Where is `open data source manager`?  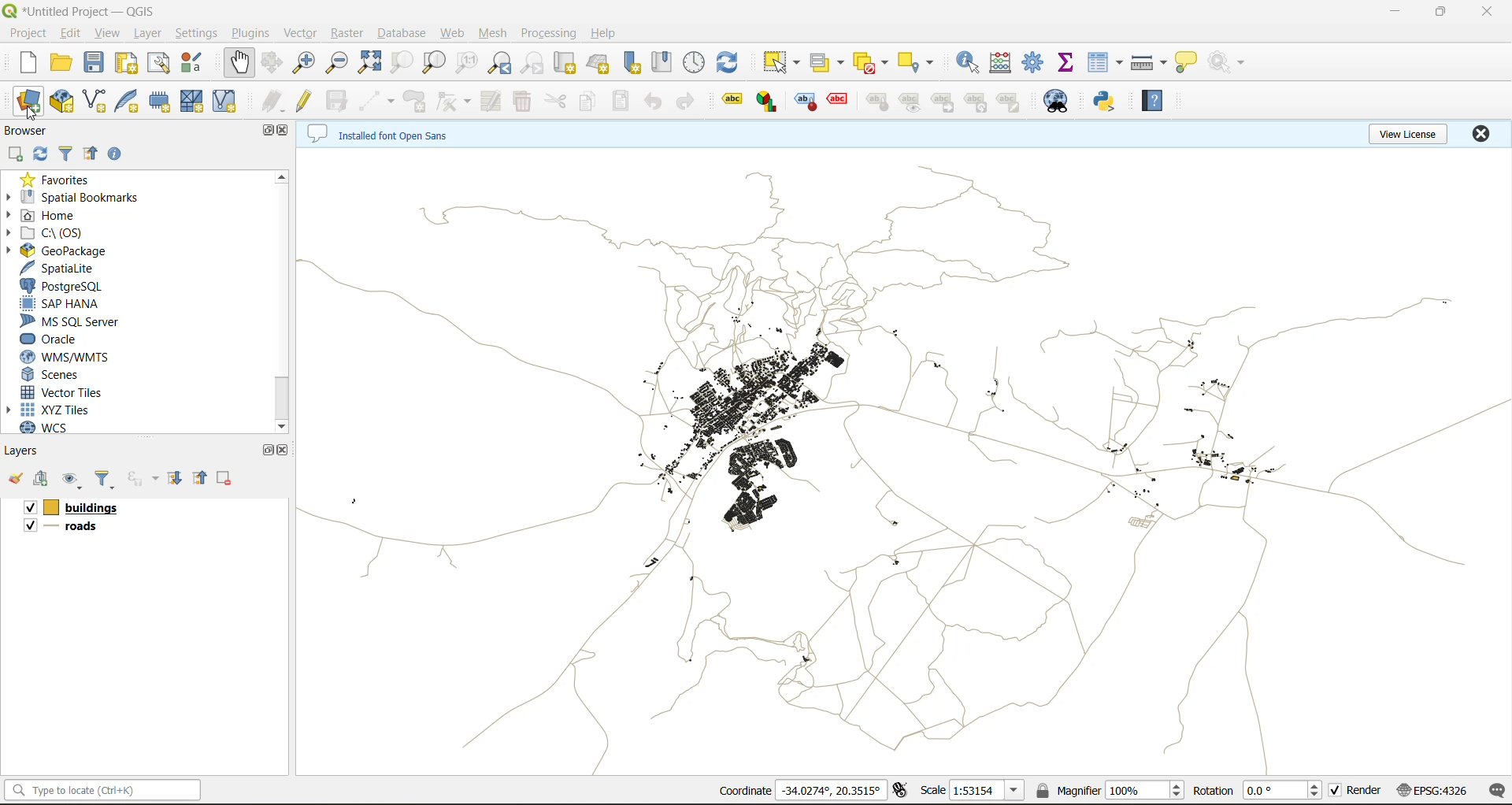
open data source manager is located at coordinates (28, 102).